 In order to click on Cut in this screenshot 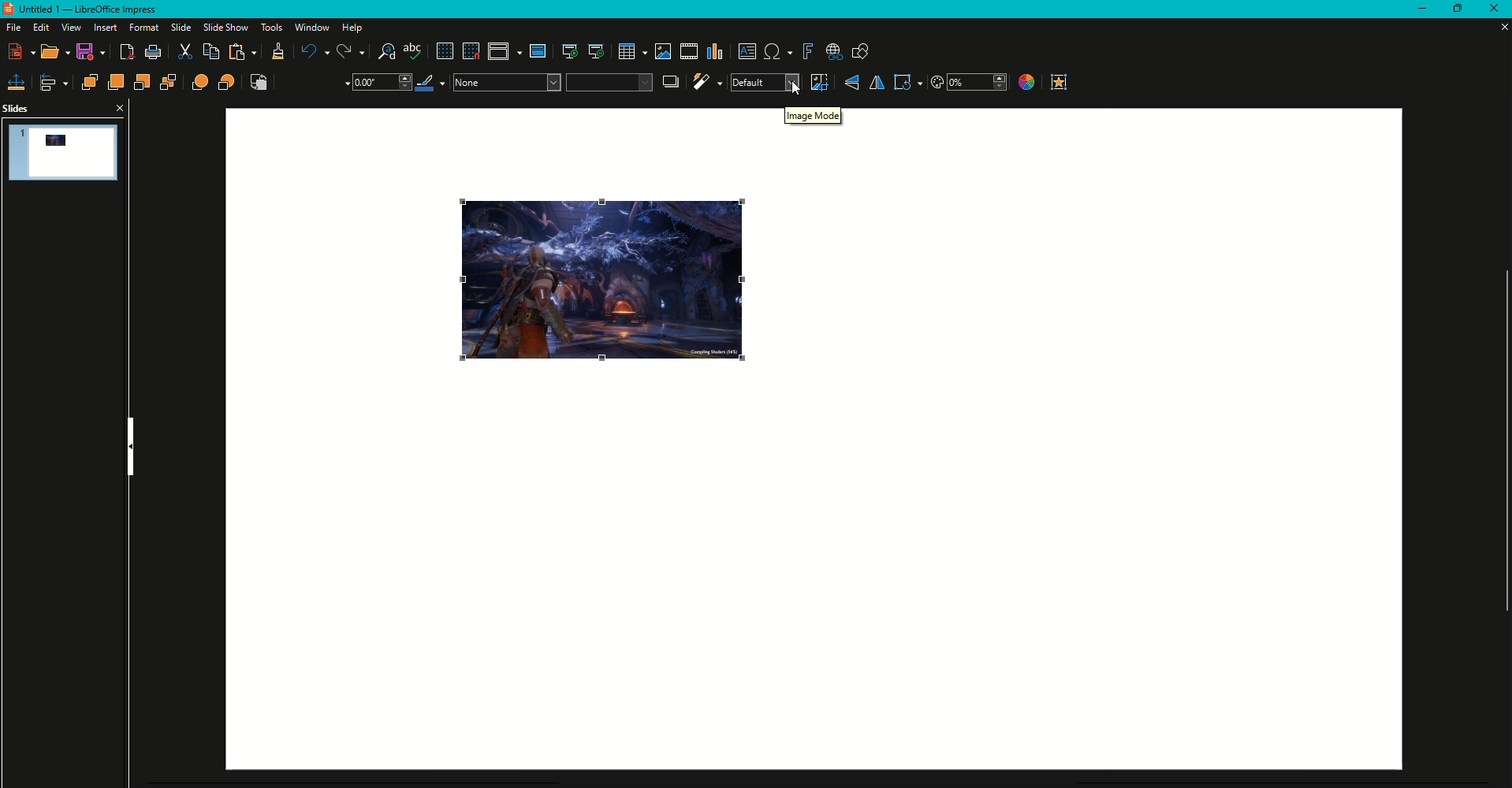, I will do `click(184, 53)`.